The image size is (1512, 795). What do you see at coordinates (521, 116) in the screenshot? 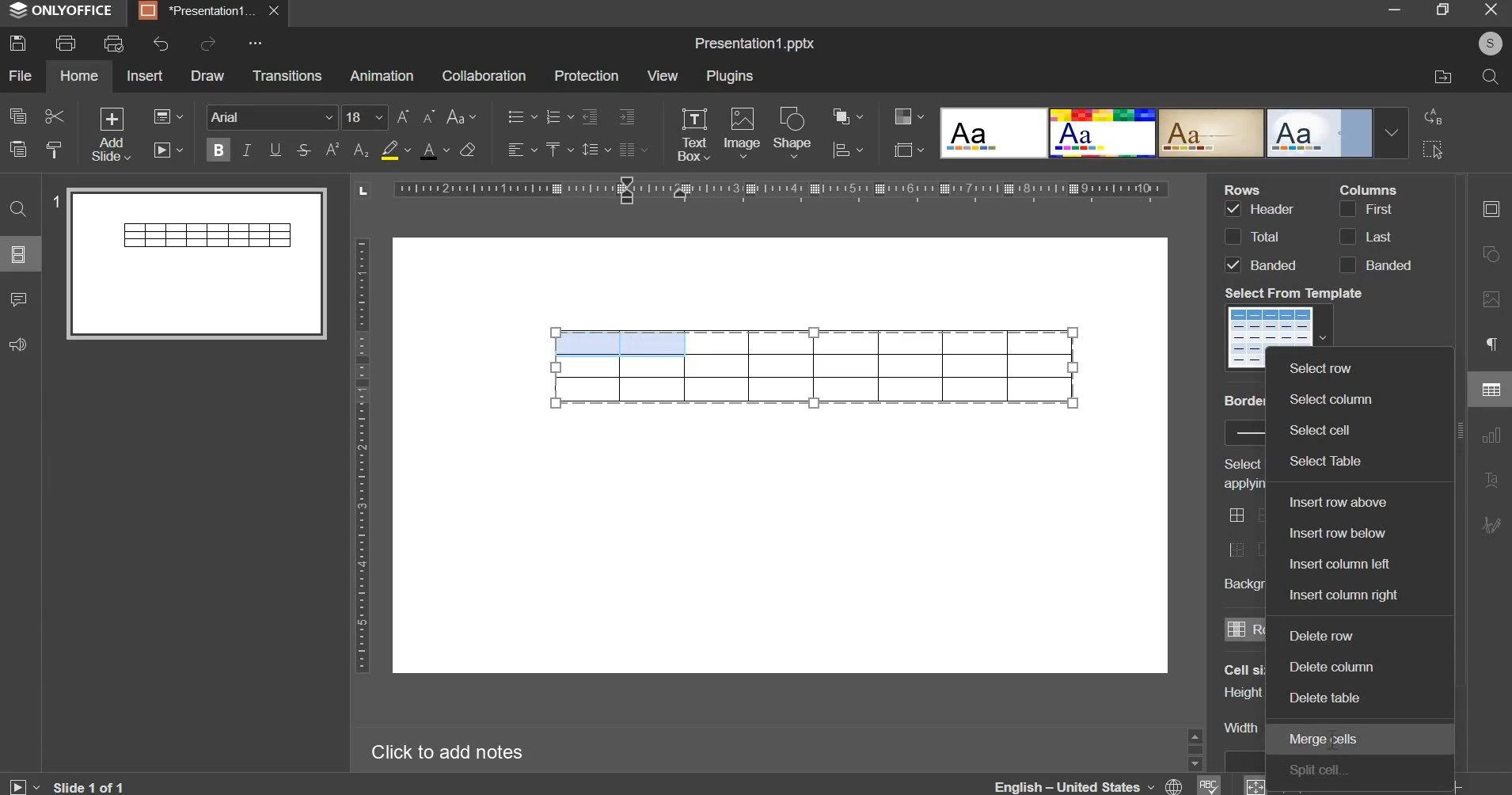
I see `bullets` at bounding box center [521, 116].